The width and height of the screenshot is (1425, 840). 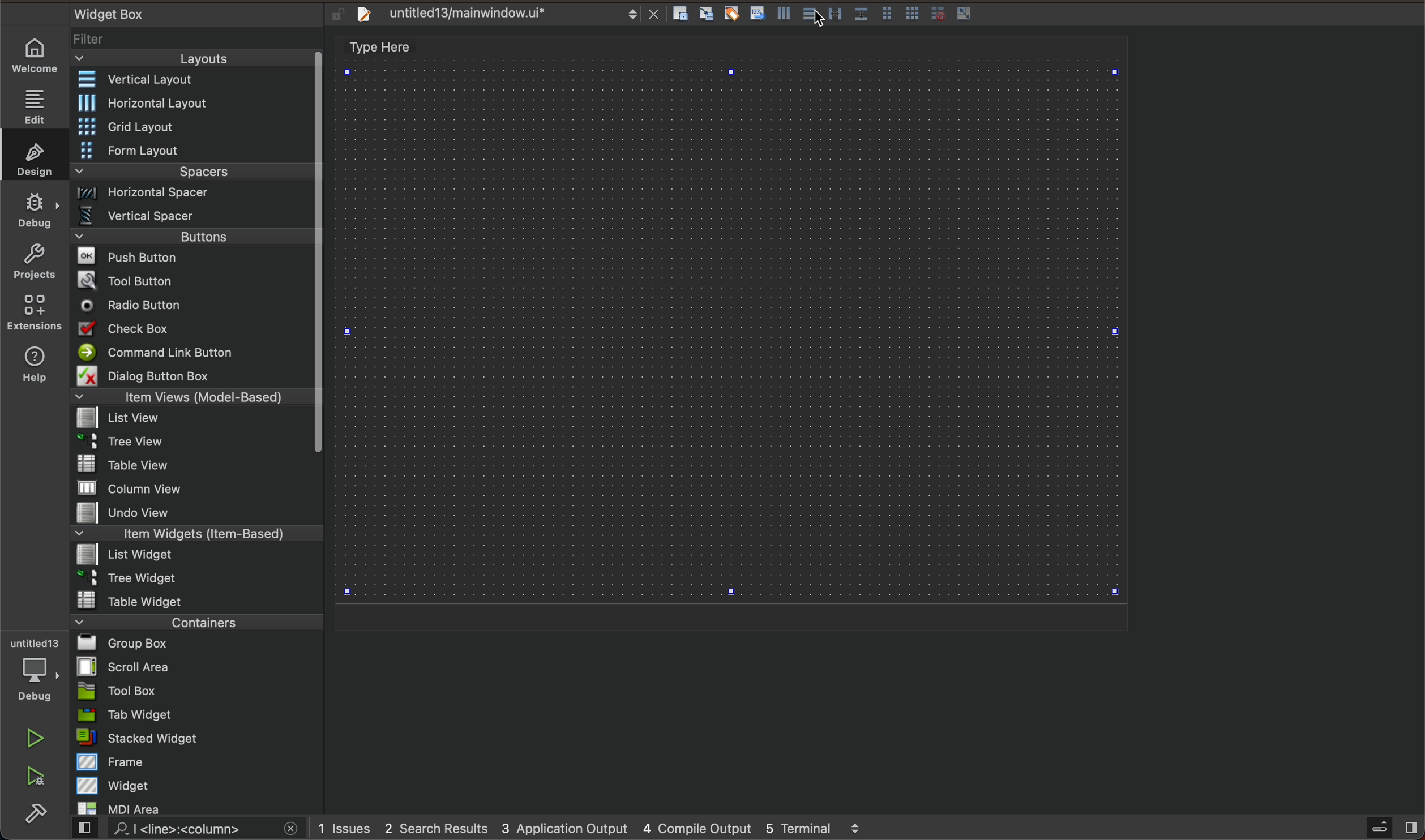 What do you see at coordinates (861, 13) in the screenshot?
I see `` at bounding box center [861, 13].